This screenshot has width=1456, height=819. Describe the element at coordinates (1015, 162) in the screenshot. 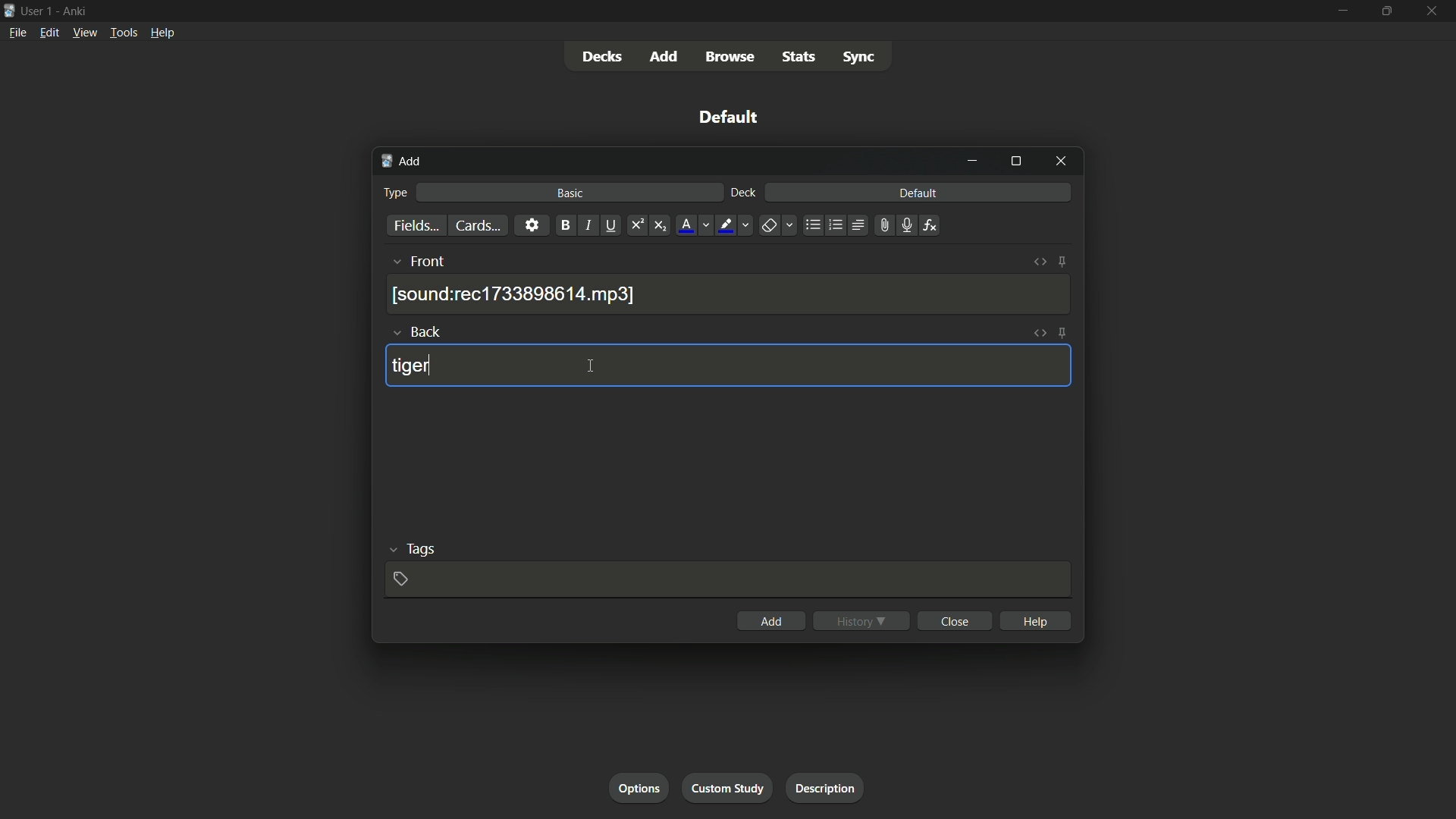

I see `maximize` at that location.